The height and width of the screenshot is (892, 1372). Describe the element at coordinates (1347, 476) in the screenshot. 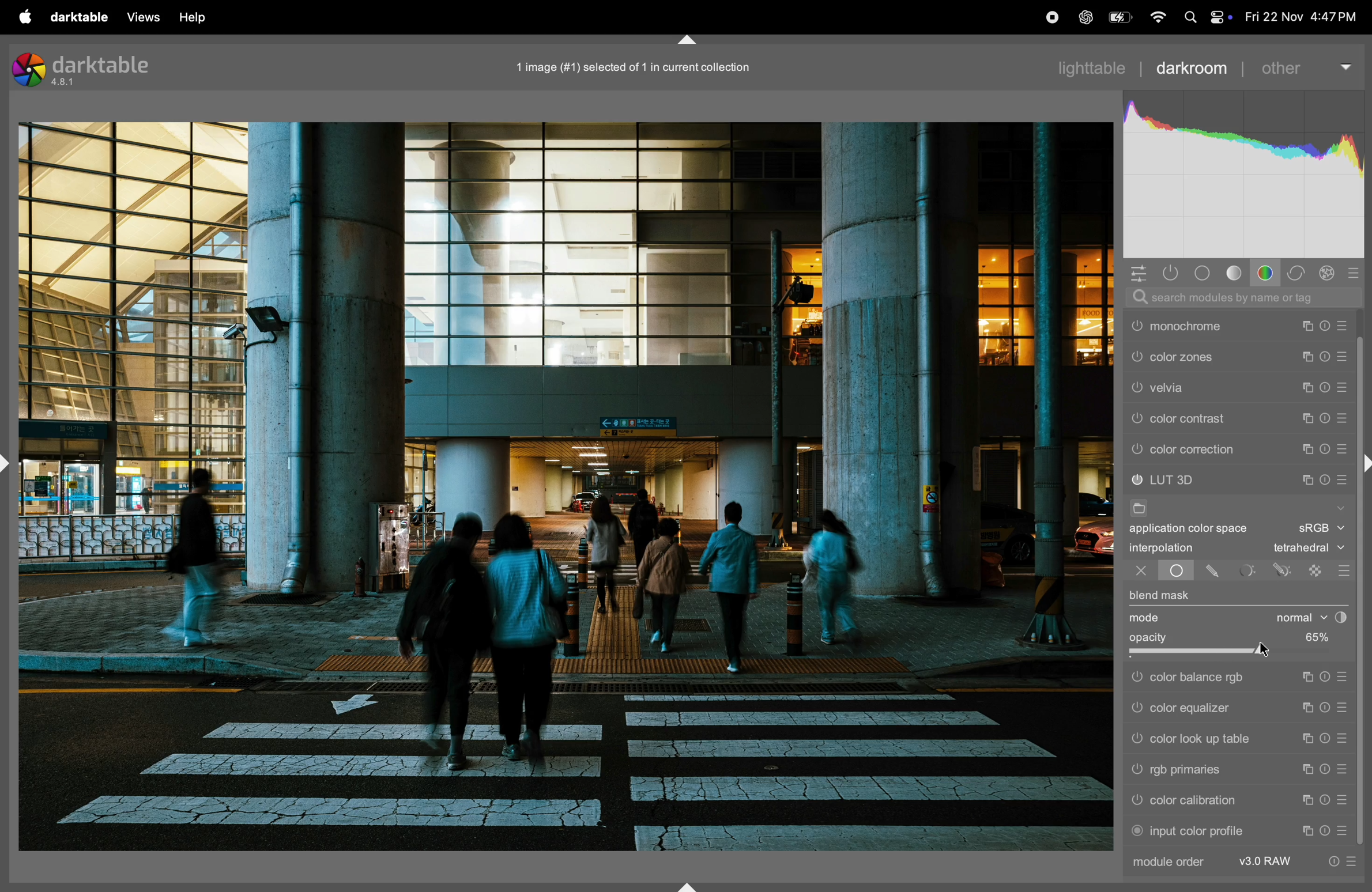

I see `presets` at that location.